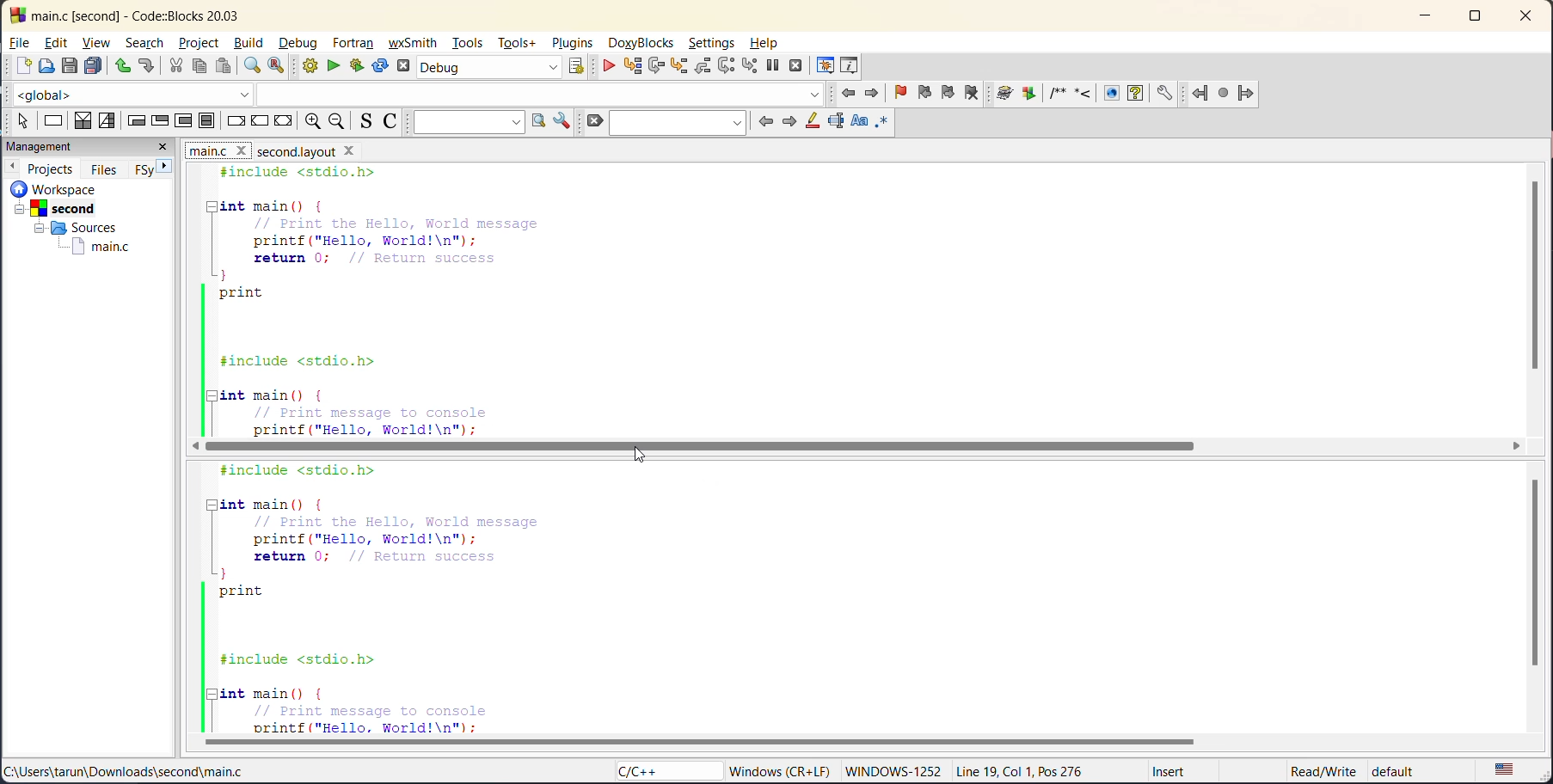 The height and width of the screenshot is (784, 1553). What do you see at coordinates (826, 66) in the screenshot?
I see `debugging windows` at bounding box center [826, 66].